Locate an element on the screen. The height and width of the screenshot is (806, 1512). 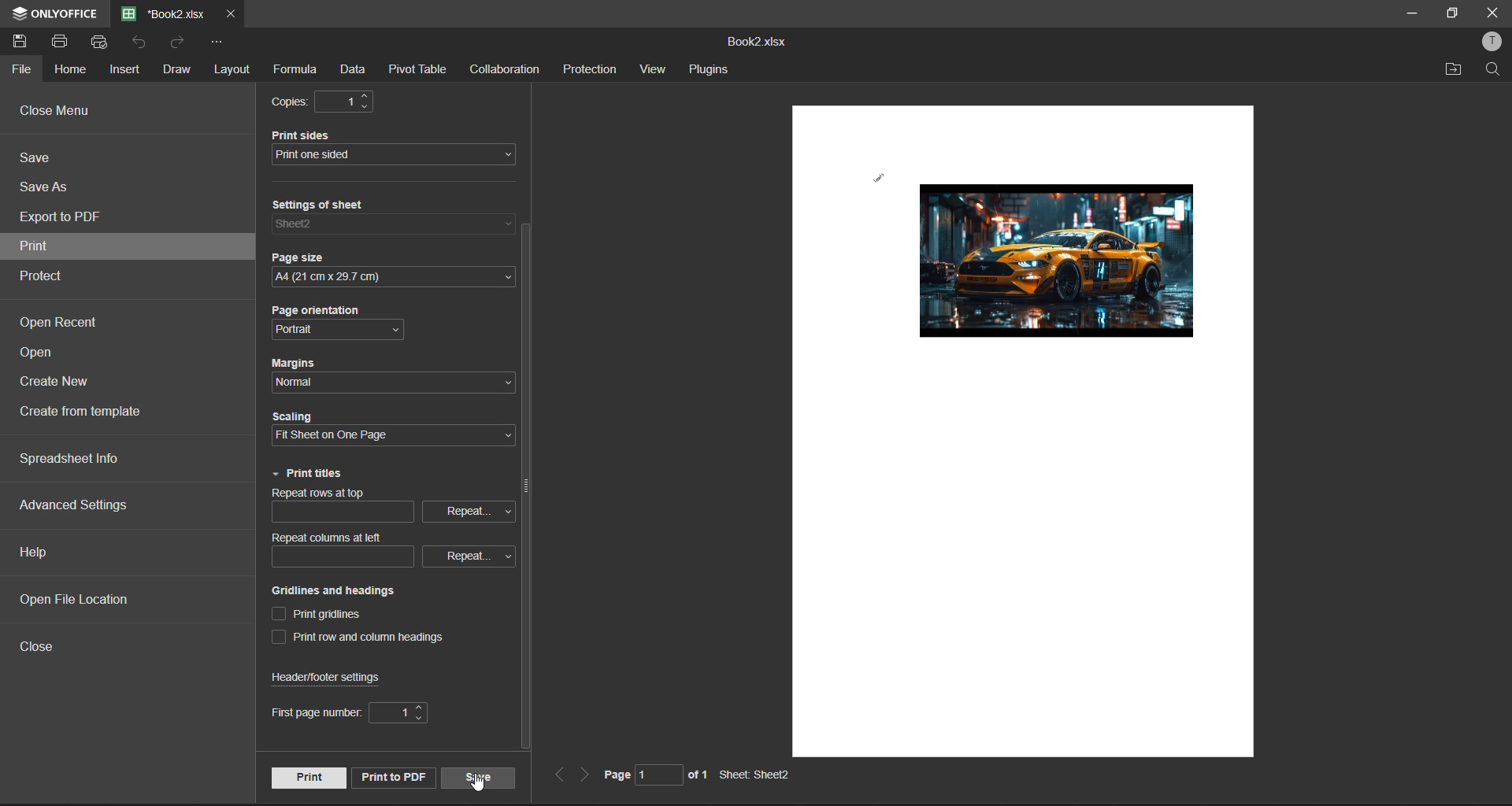
print gridlines is located at coordinates (325, 614).